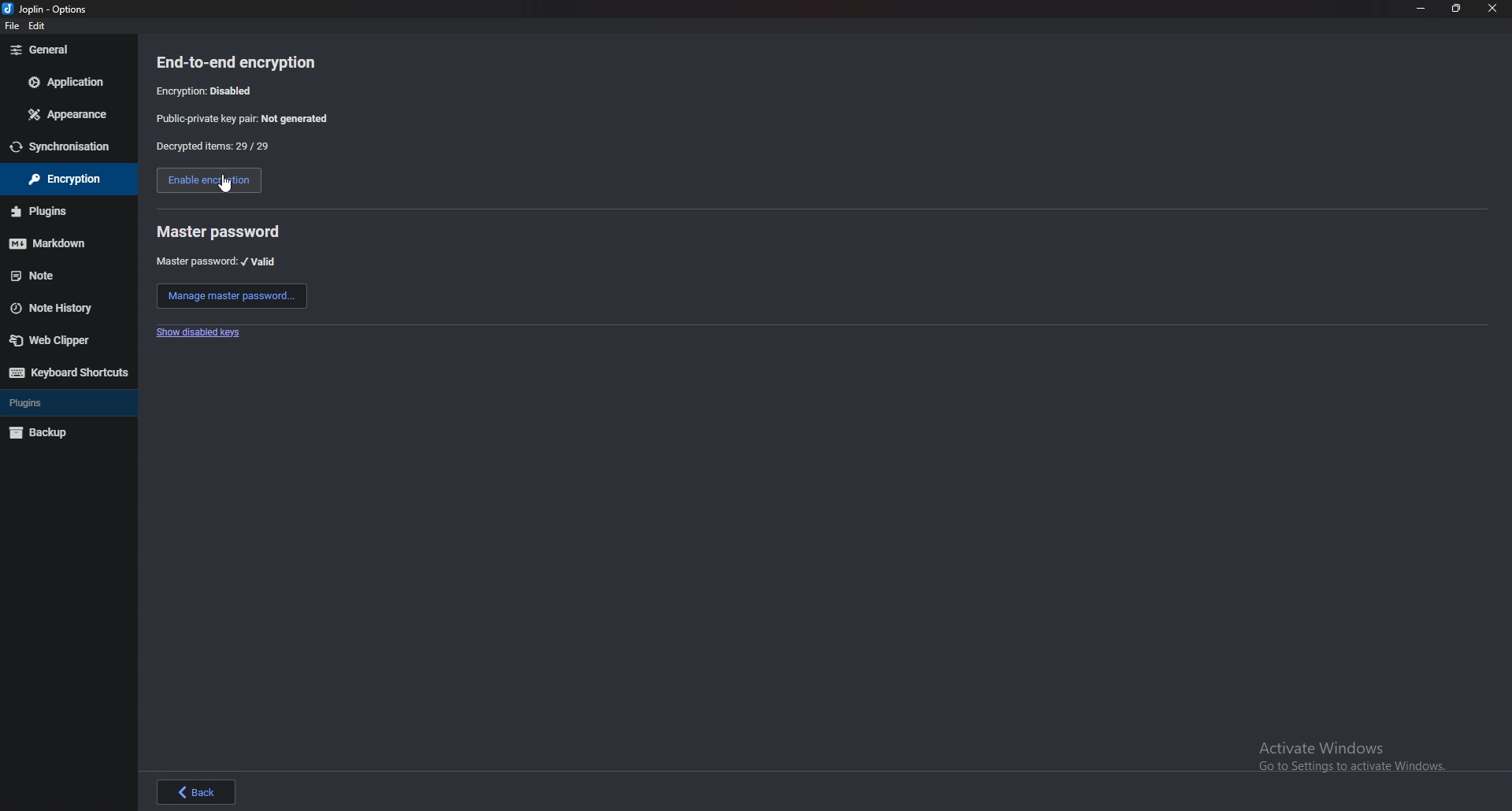  What do you see at coordinates (71, 374) in the screenshot?
I see `` at bounding box center [71, 374].